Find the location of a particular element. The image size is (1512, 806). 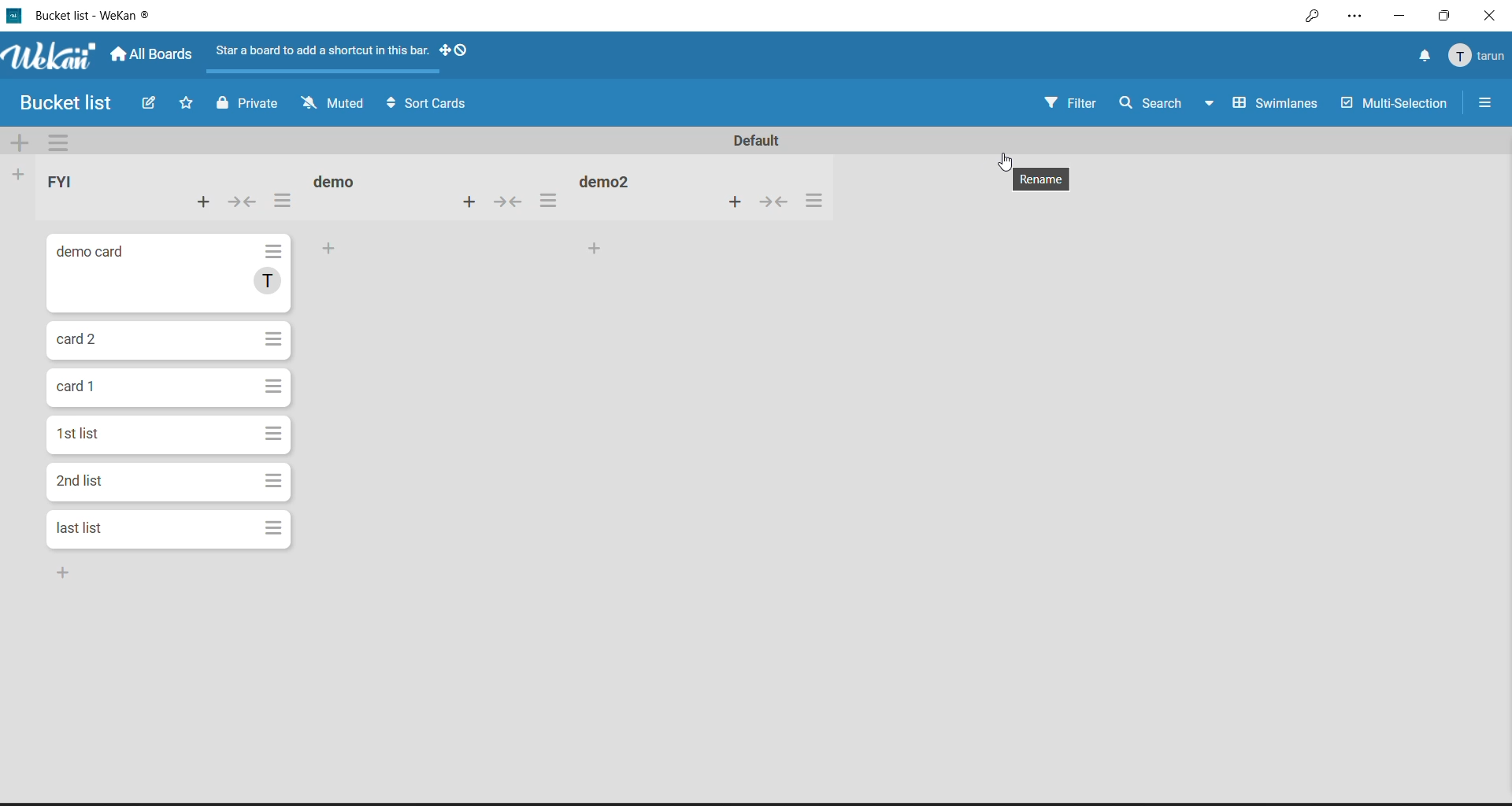

list title is located at coordinates (339, 180).